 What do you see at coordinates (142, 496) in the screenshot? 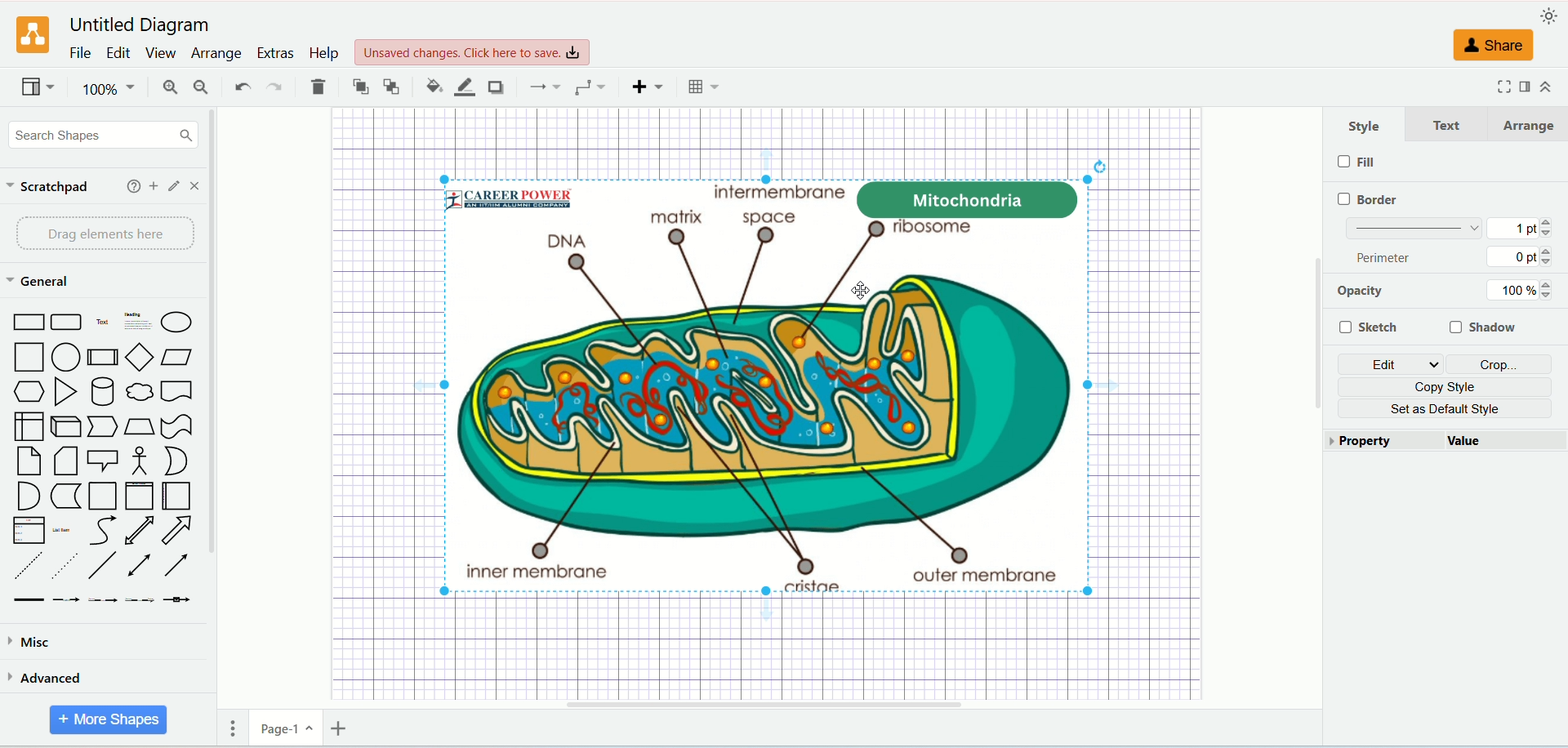
I see `Vertical Container` at bounding box center [142, 496].